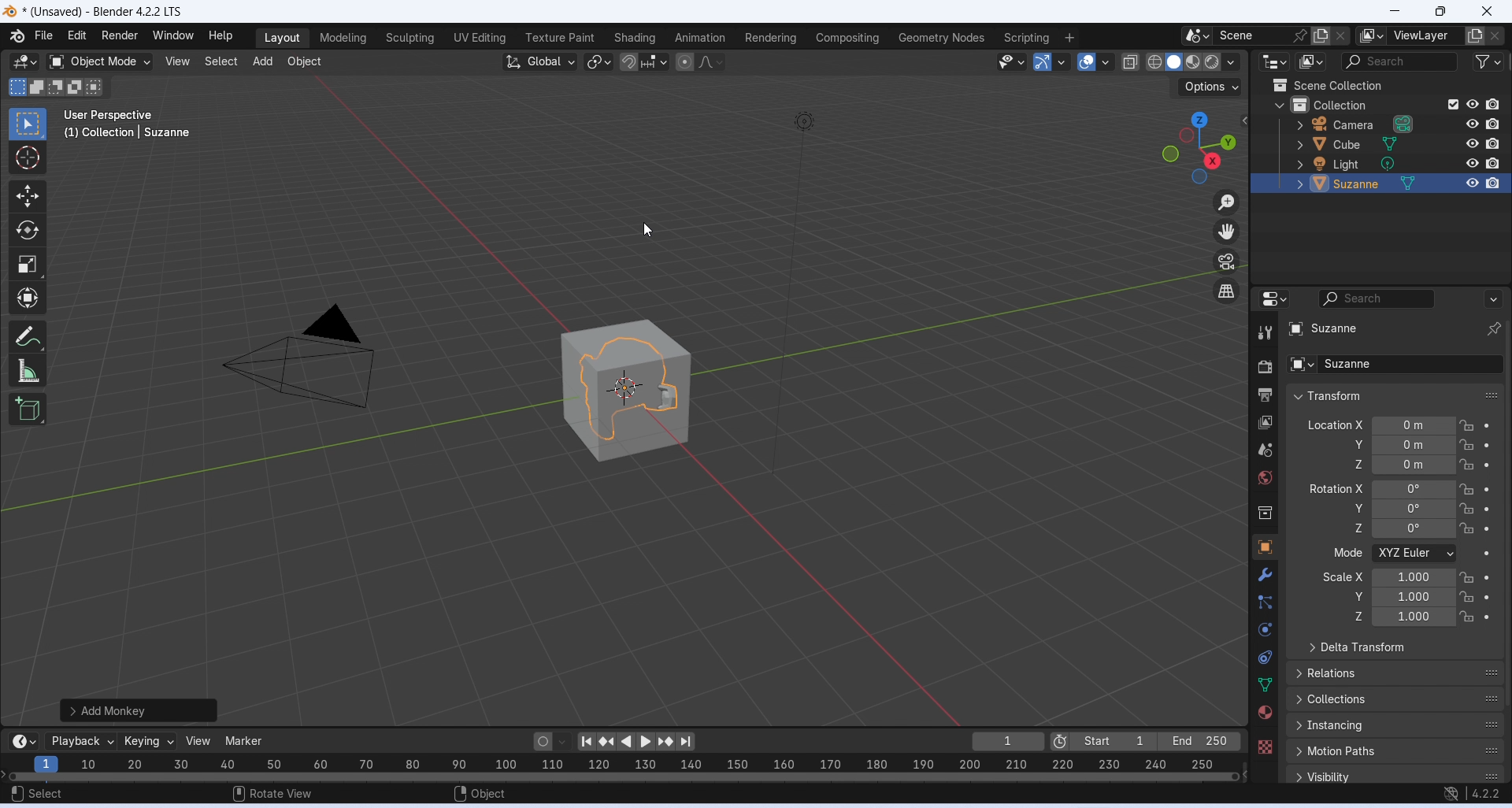 This screenshot has width=1512, height=808. Describe the element at coordinates (1396, 751) in the screenshot. I see `motion paths` at that location.